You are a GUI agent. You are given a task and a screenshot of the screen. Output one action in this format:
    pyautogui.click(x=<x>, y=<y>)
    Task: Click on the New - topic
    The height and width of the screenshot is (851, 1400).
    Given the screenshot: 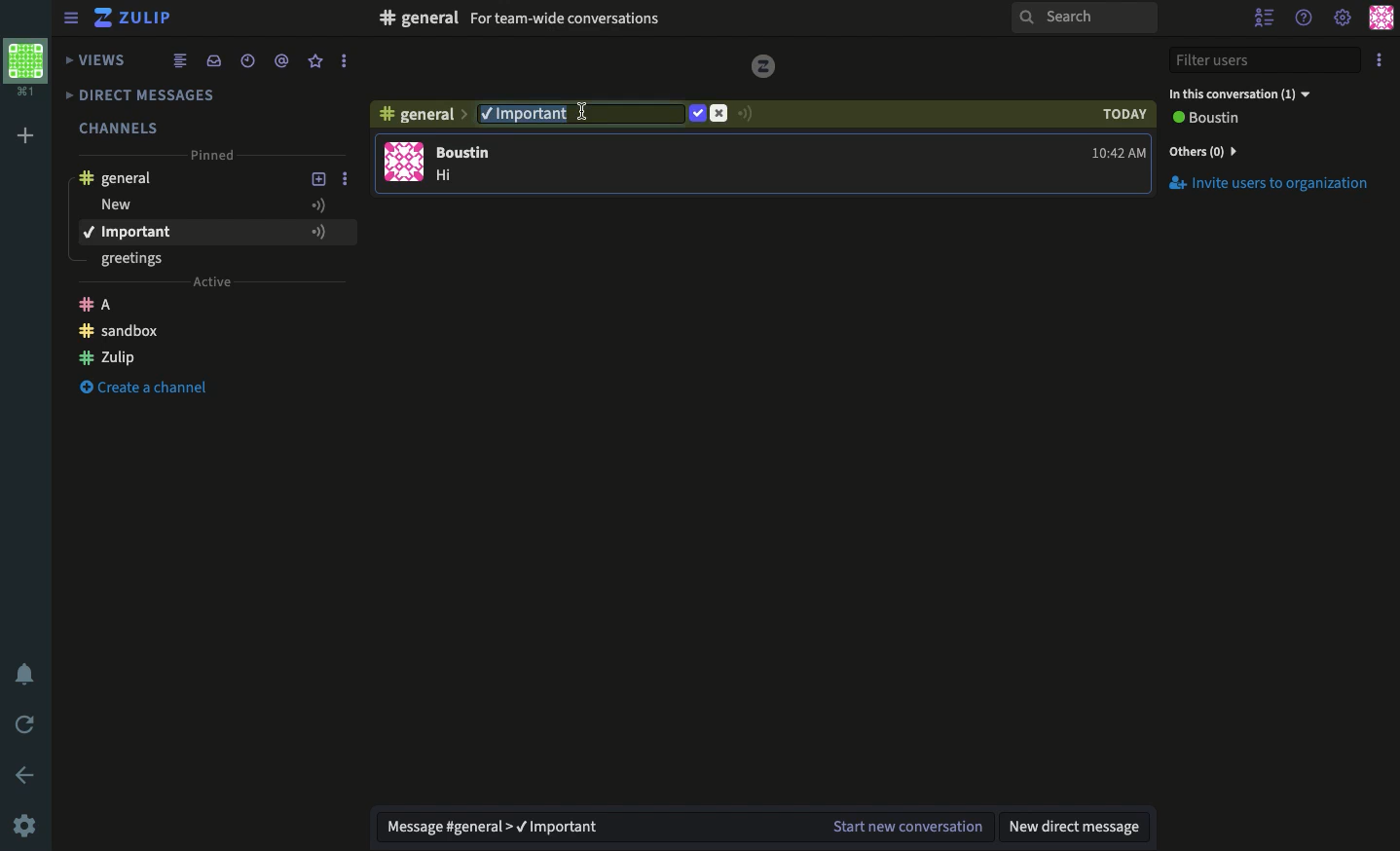 What is the action you would take?
    pyautogui.click(x=194, y=205)
    